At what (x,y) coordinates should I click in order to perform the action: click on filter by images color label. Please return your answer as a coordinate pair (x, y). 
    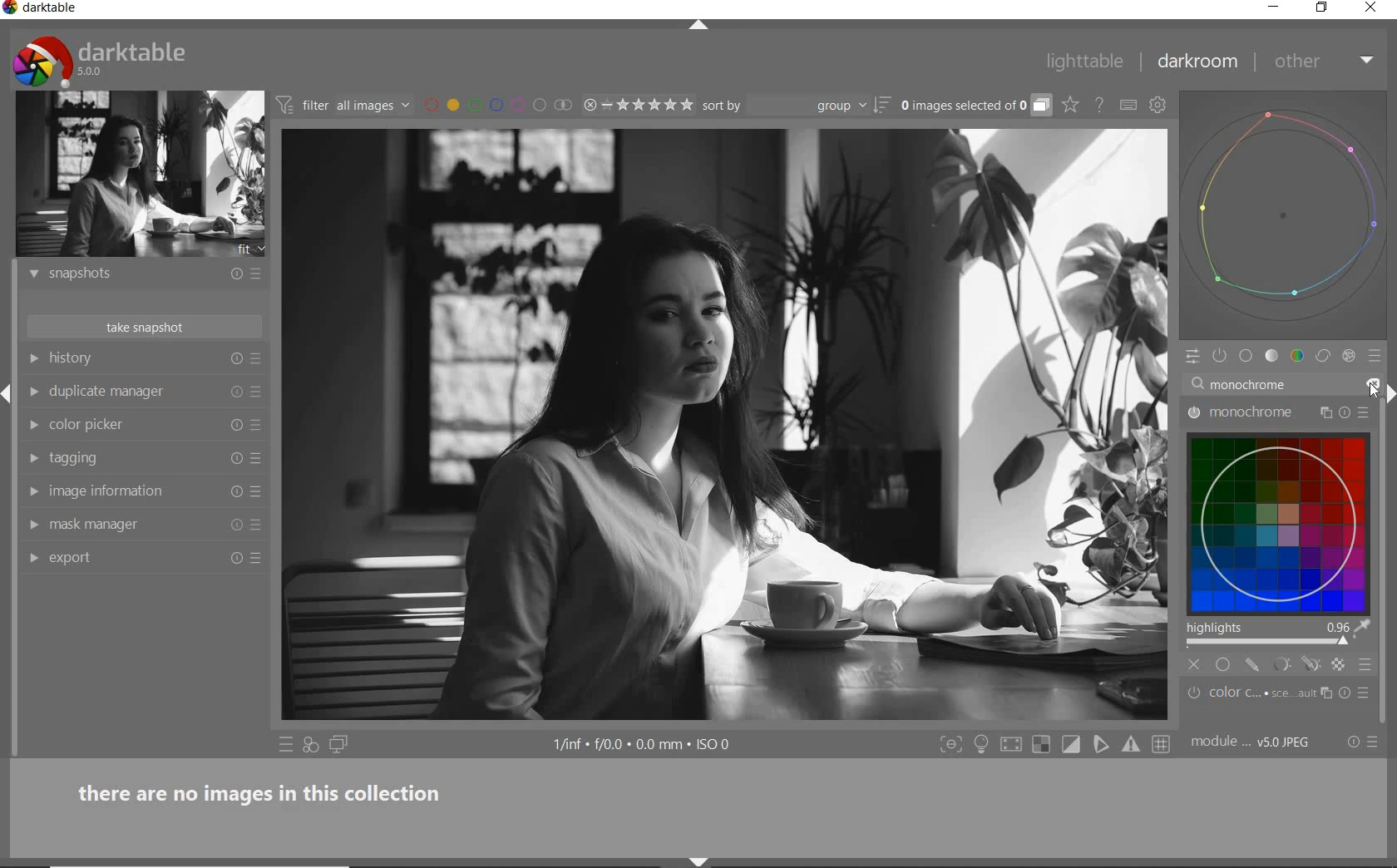
    Looking at the image, I should click on (497, 105).